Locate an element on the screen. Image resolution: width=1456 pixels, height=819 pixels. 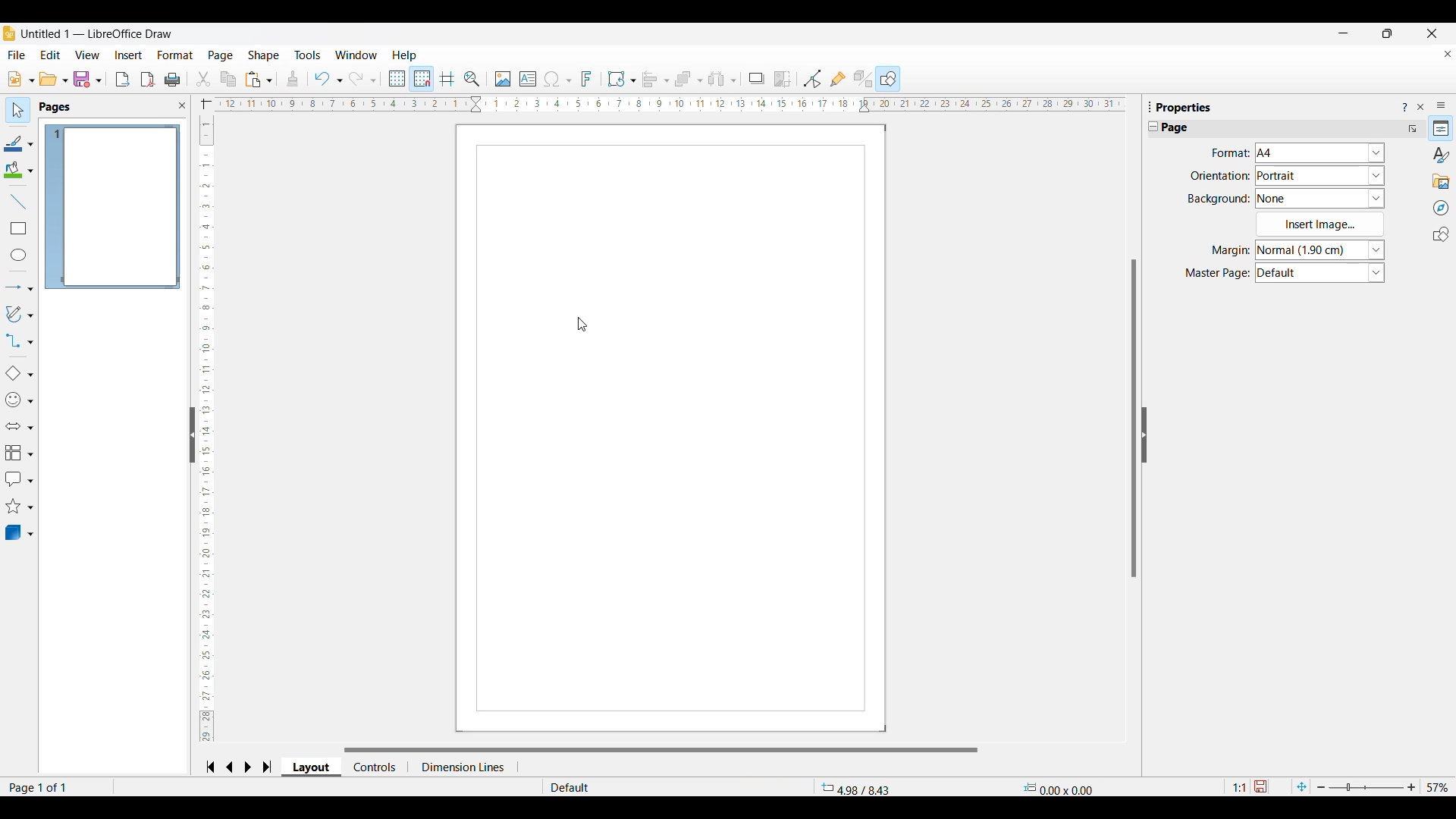
Show in smaller tab is located at coordinates (1388, 33).